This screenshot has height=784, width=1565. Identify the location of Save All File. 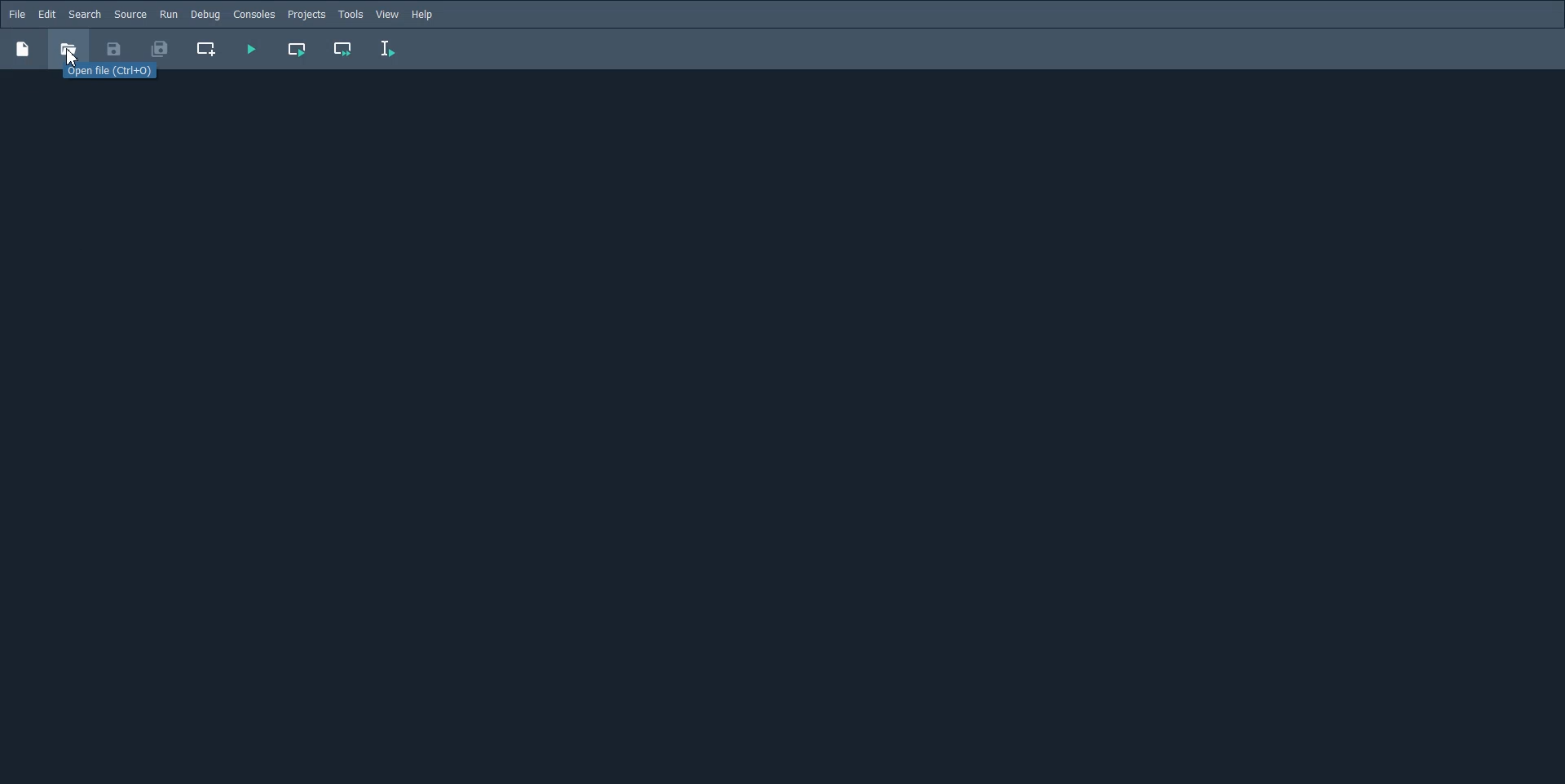
(158, 49).